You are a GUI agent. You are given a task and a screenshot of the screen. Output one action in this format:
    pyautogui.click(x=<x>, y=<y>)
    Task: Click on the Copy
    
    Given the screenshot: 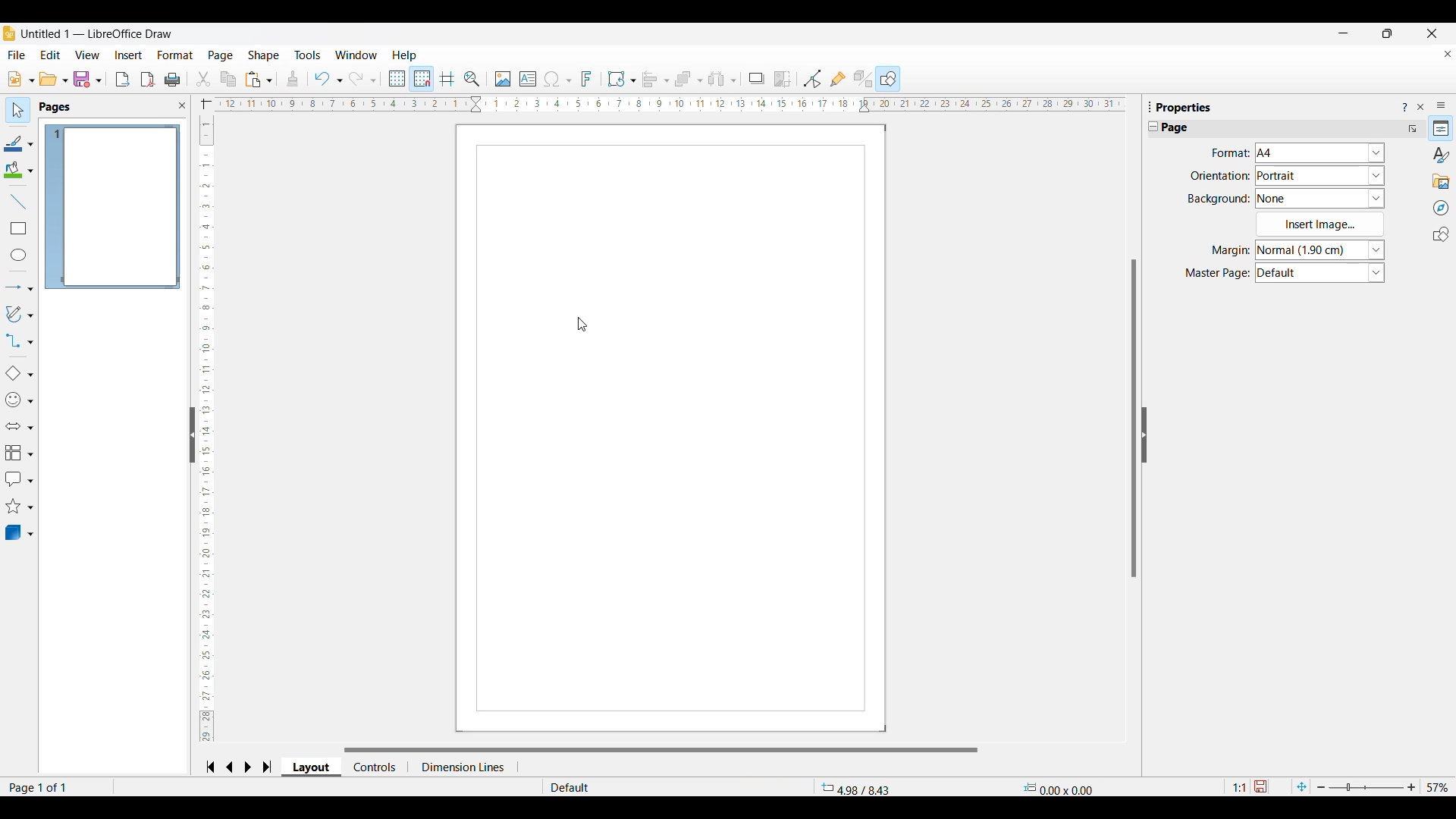 What is the action you would take?
    pyautogui.click(x=228, y=79)
    